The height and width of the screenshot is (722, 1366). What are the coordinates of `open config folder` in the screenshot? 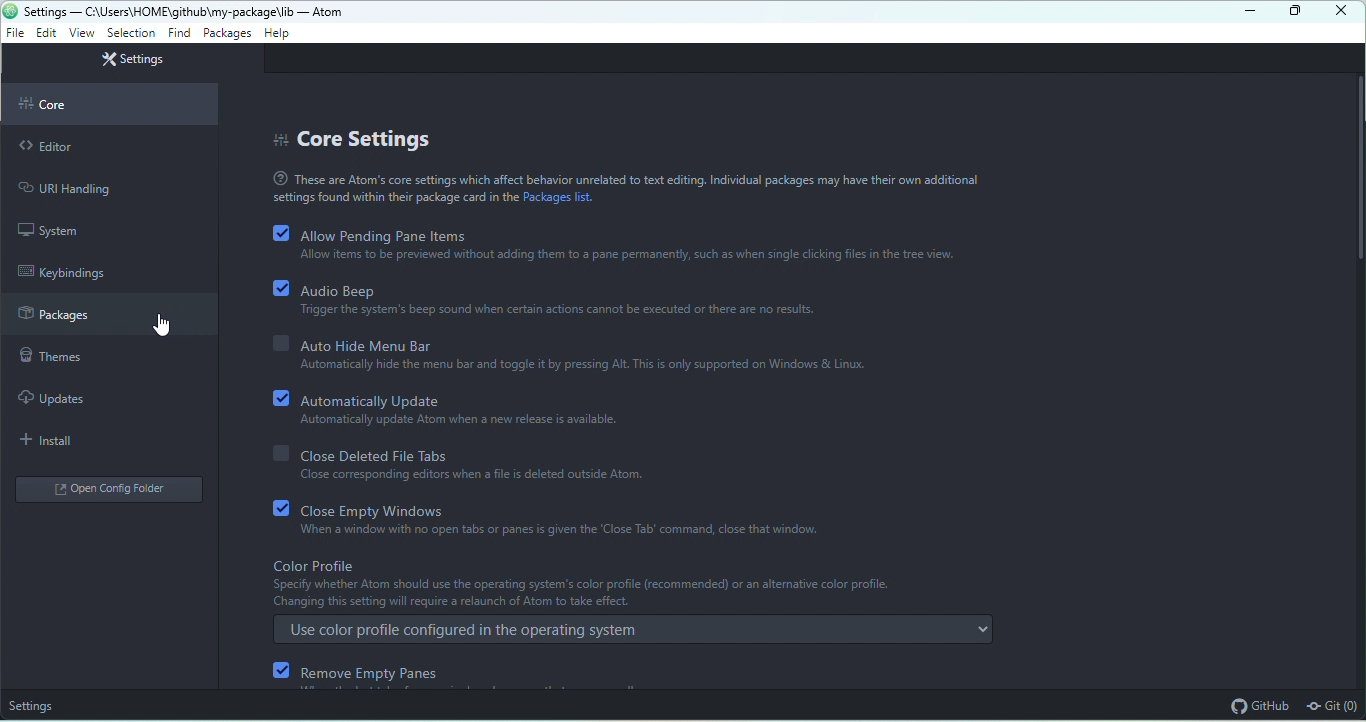 It's located at (111, 492).